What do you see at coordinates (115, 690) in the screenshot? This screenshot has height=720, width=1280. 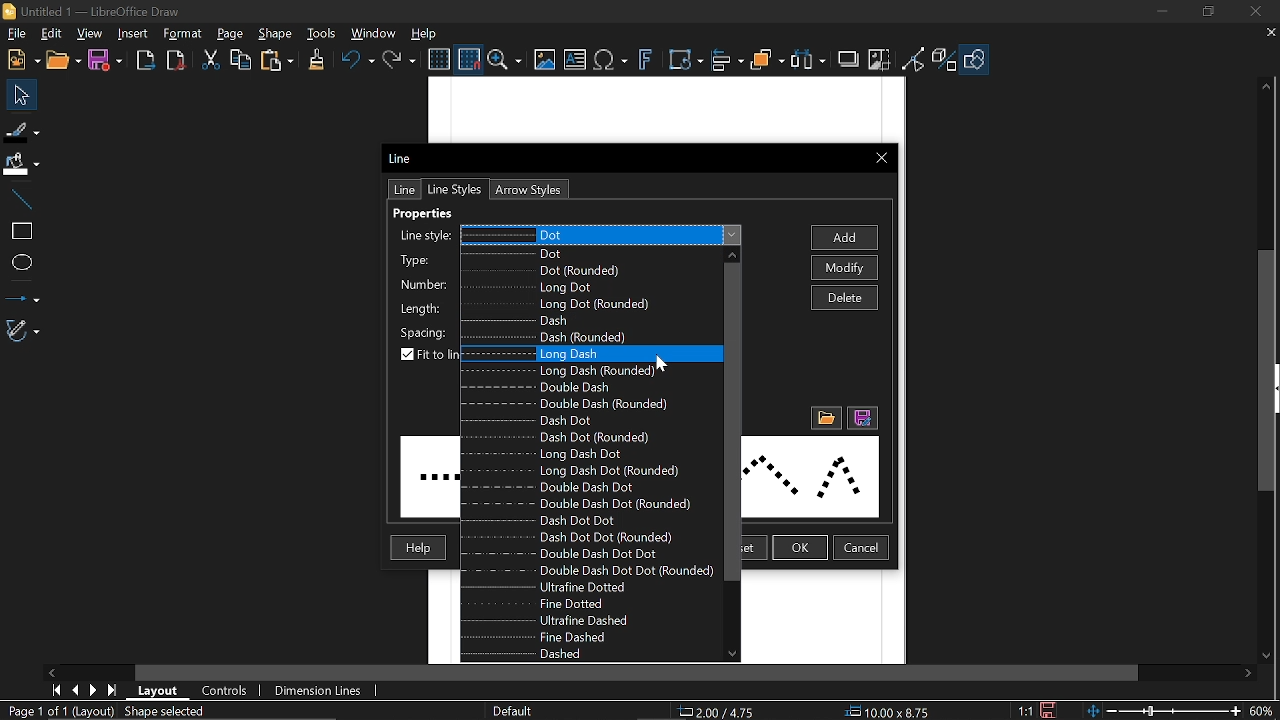 I see `Last page` at bounding box center [115, 690].